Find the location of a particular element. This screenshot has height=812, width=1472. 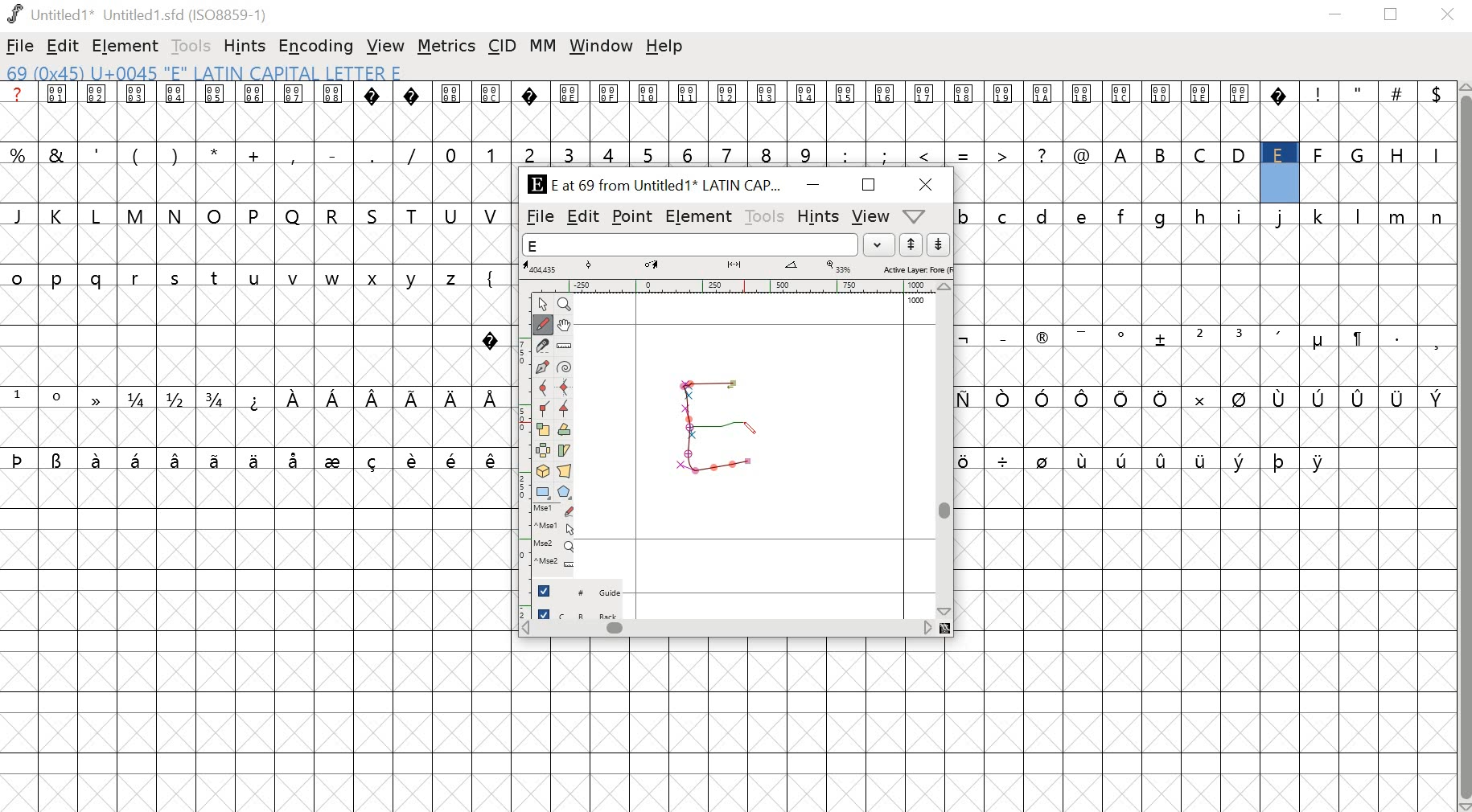

Flip is located at coordinates (543, 451).